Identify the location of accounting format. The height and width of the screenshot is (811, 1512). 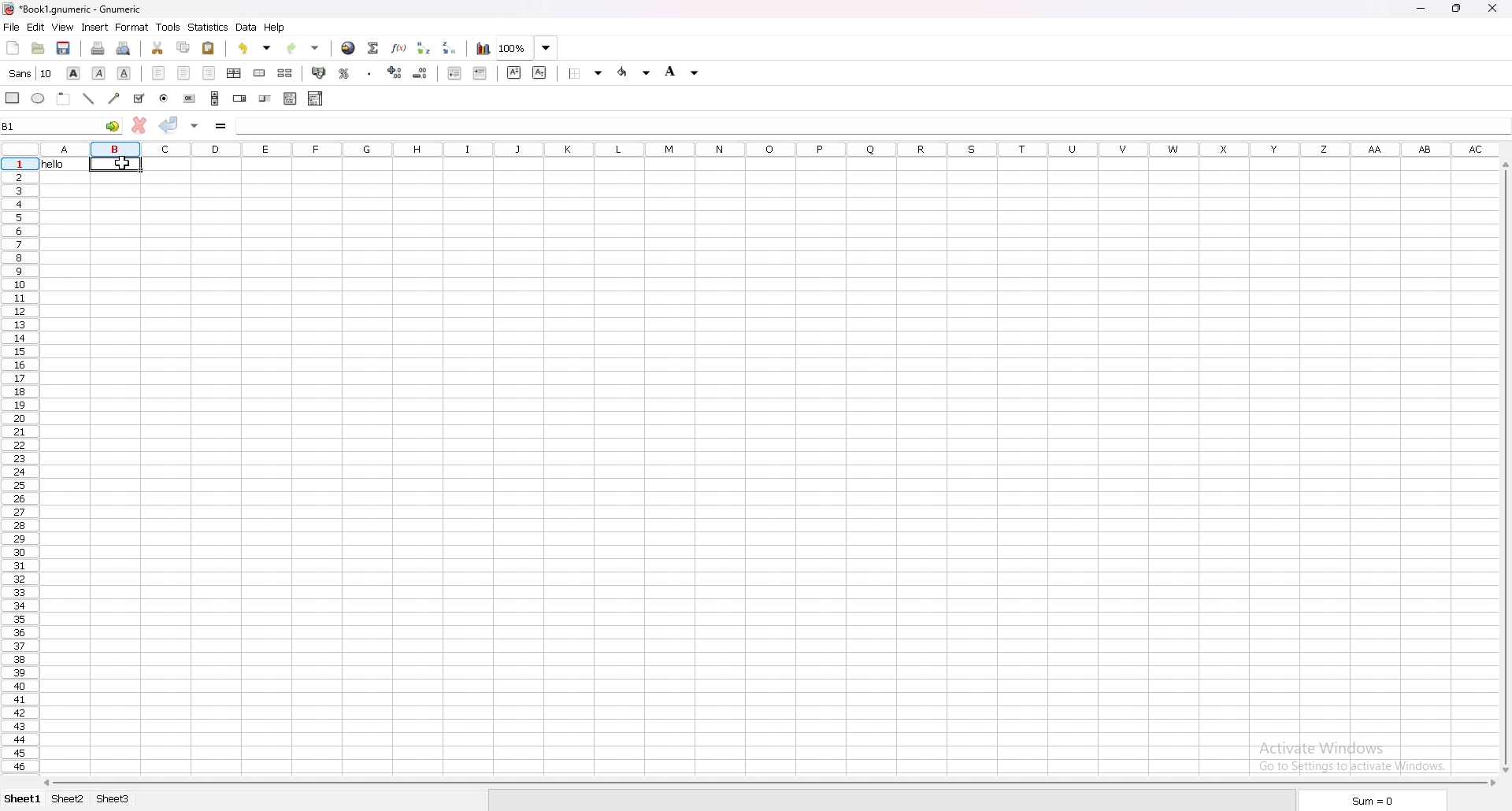
(321, 74).